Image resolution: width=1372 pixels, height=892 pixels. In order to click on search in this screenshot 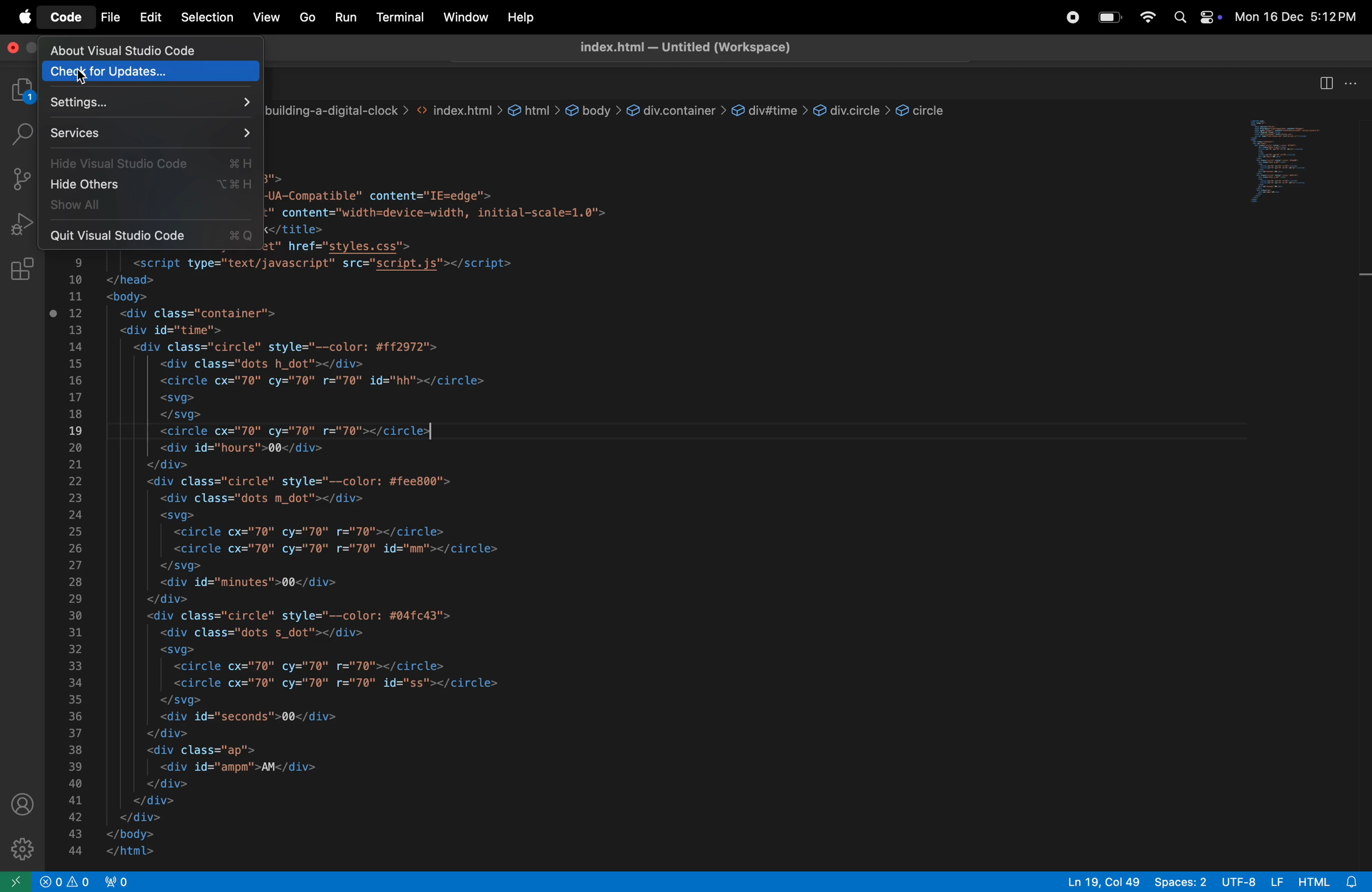, I will do `click(19, 135)`.